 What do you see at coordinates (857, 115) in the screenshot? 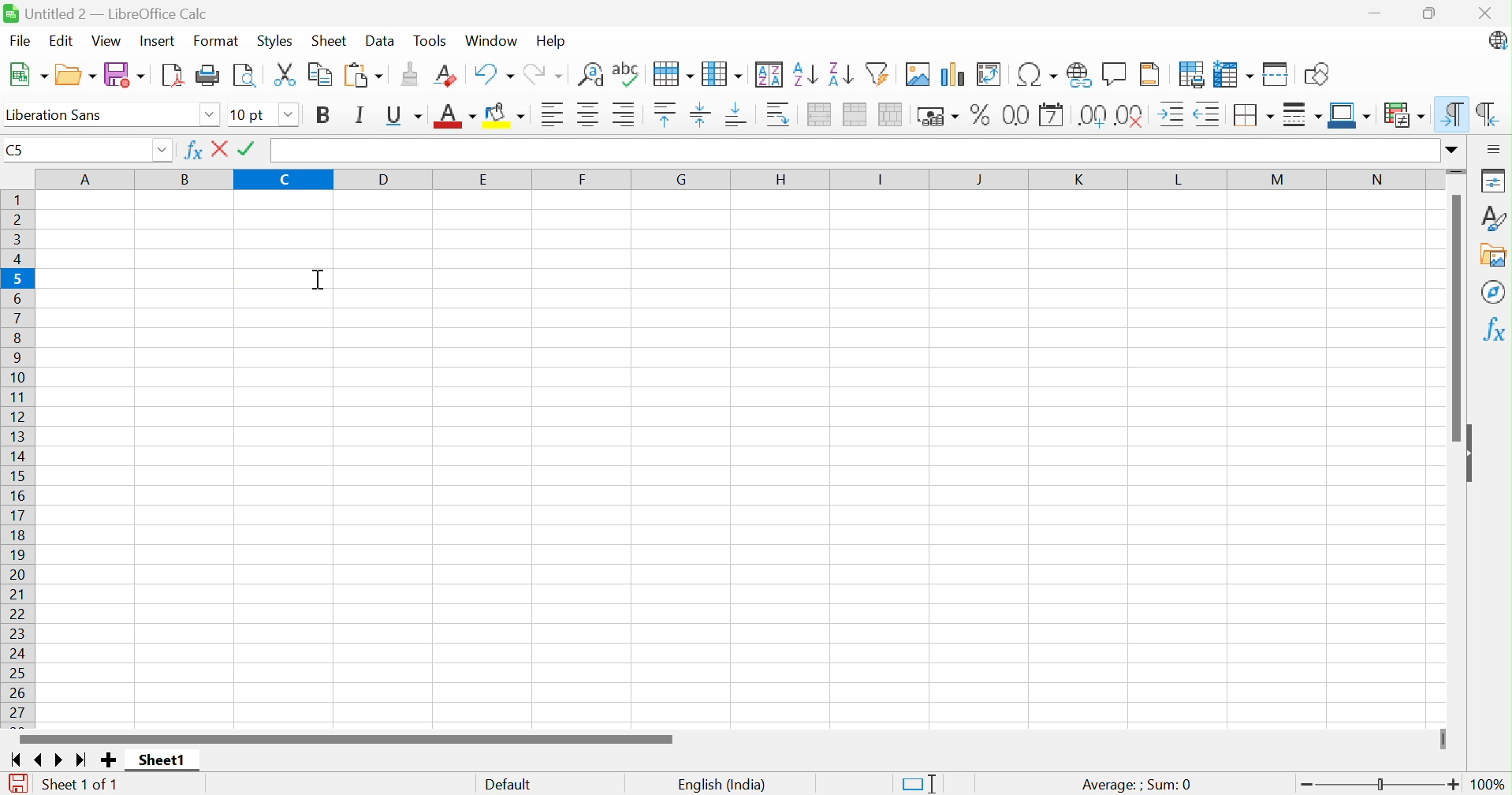
I see `Merge cells` at bounding box center [857, 115].